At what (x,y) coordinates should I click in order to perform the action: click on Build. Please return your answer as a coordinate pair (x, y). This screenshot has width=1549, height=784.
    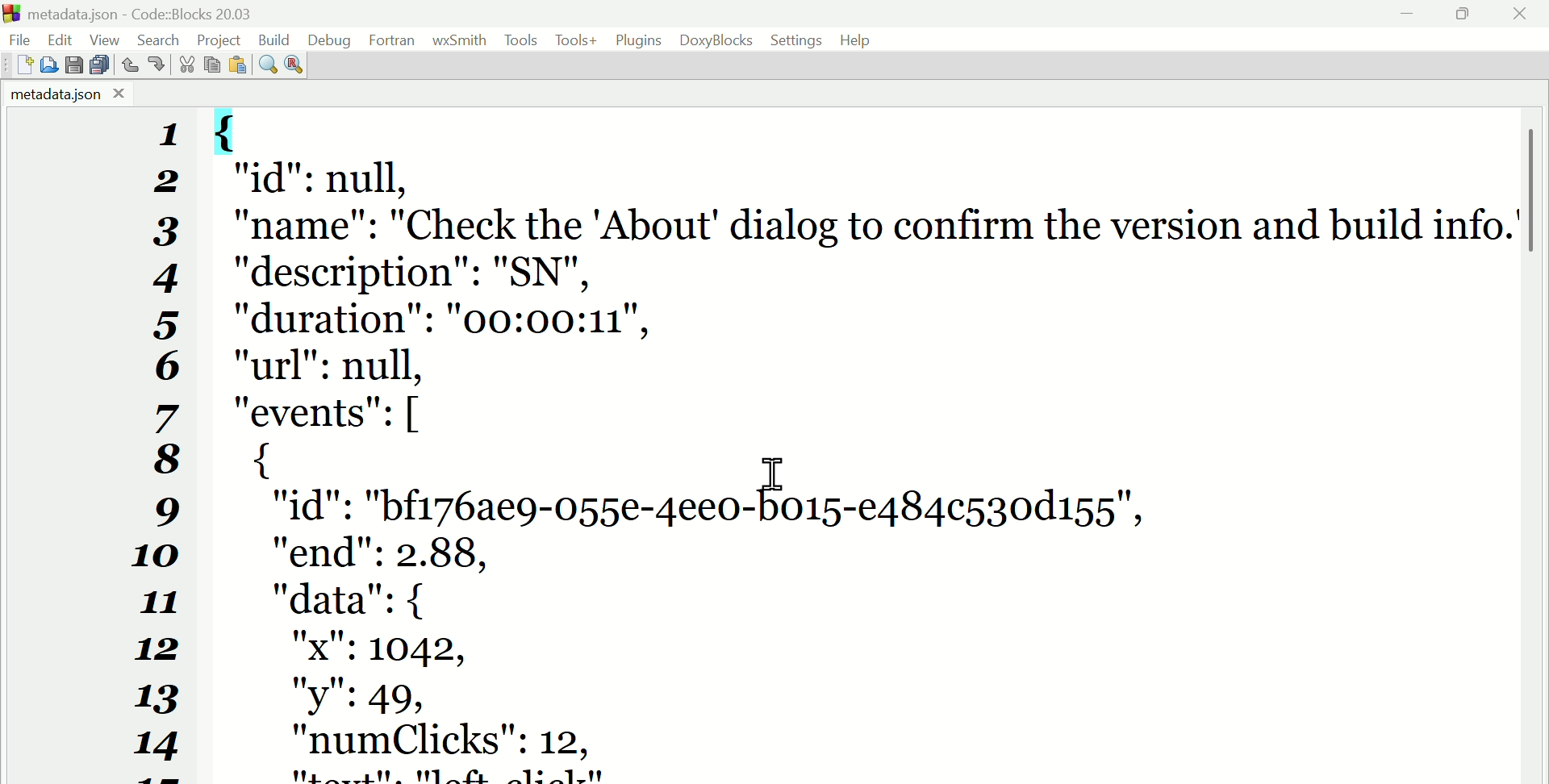
    Looking at the image, I should click on (274, 38).